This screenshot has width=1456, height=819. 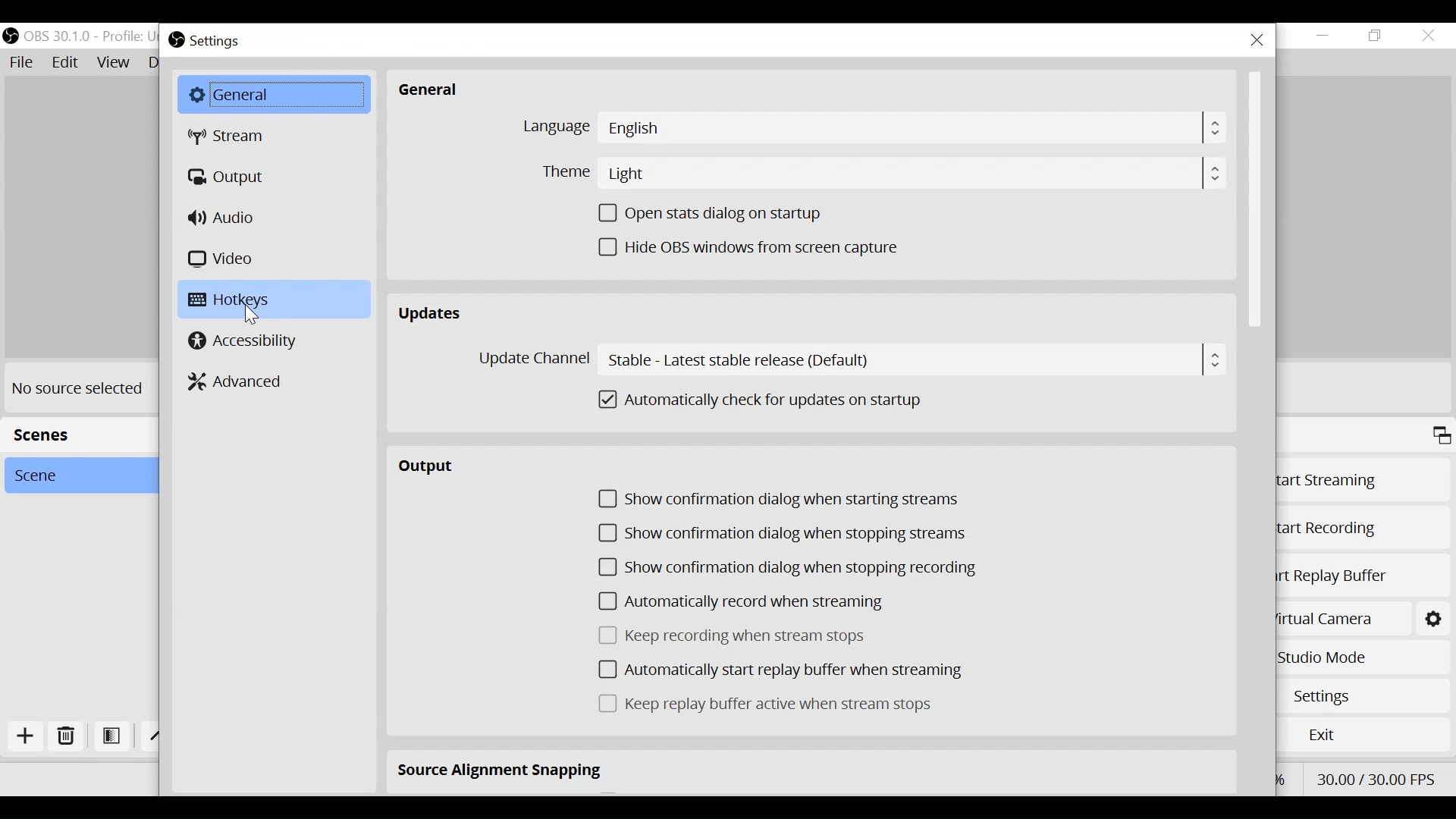 I want to click on Edit, so click(x=66, y=63).